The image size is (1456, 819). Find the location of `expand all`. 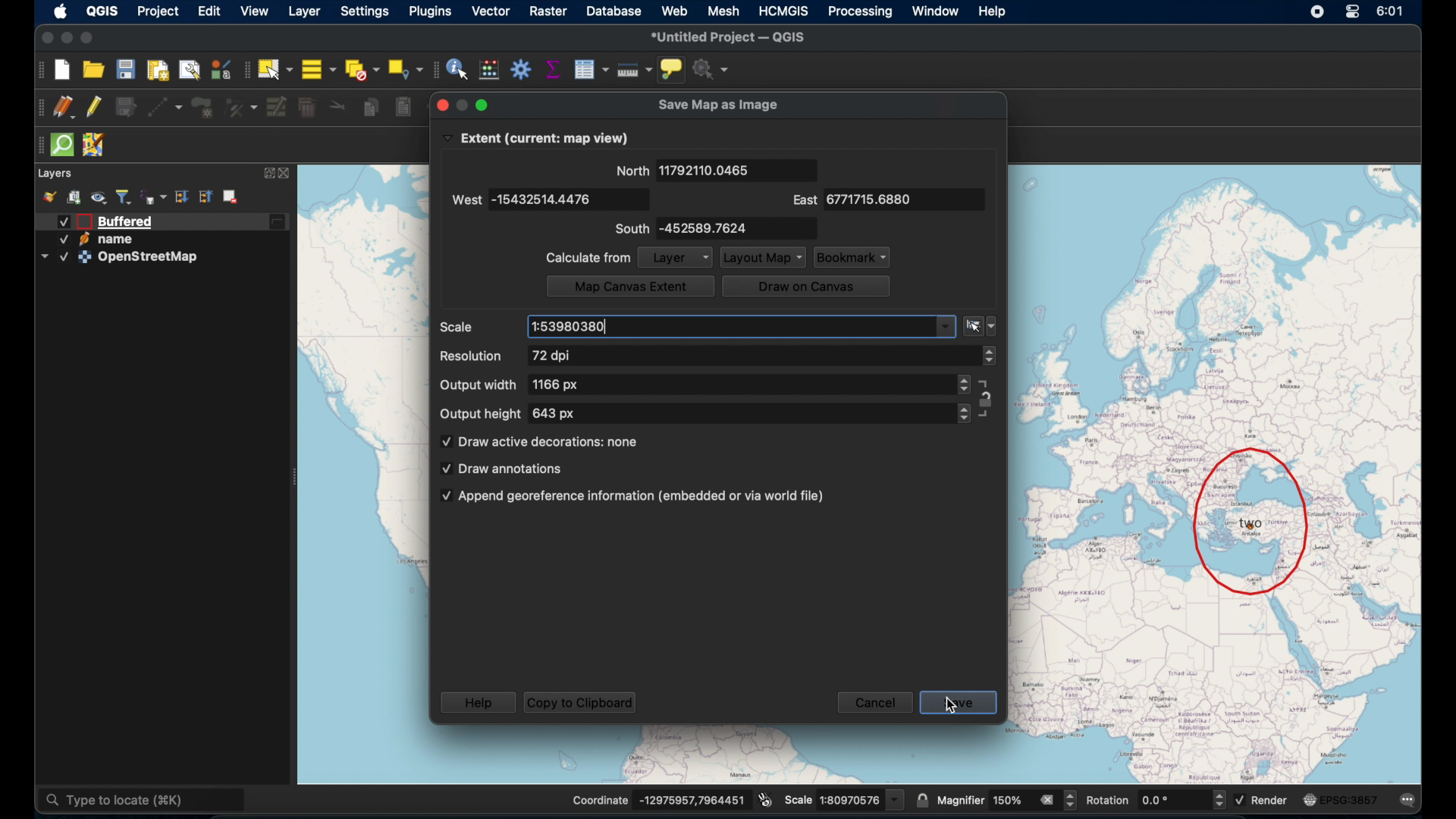

expand all is located at coordinates (181, 196).